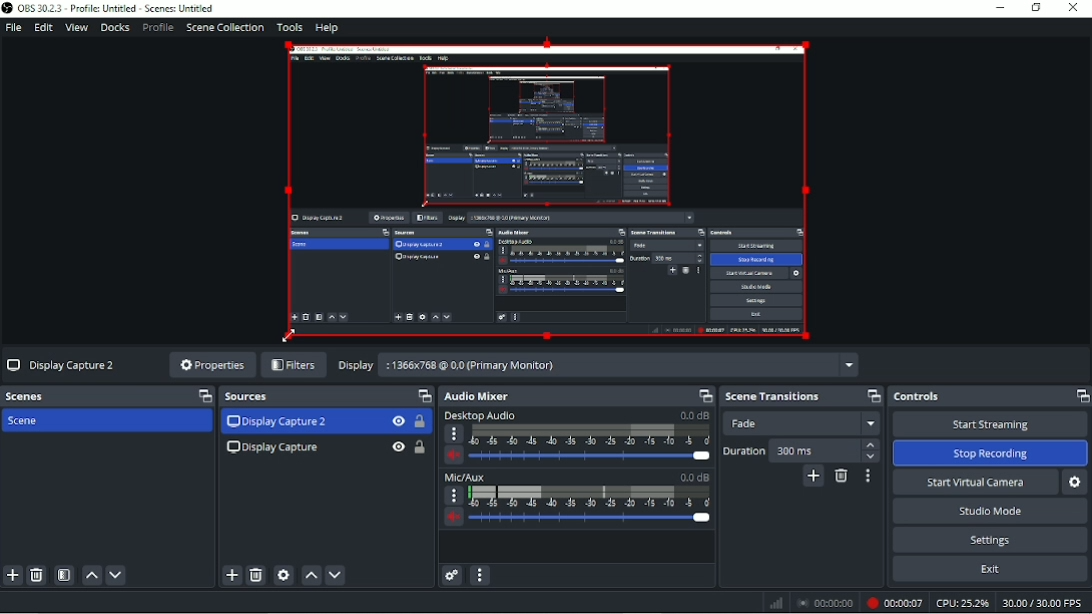  I want to click on maximize, so click(703, 396).